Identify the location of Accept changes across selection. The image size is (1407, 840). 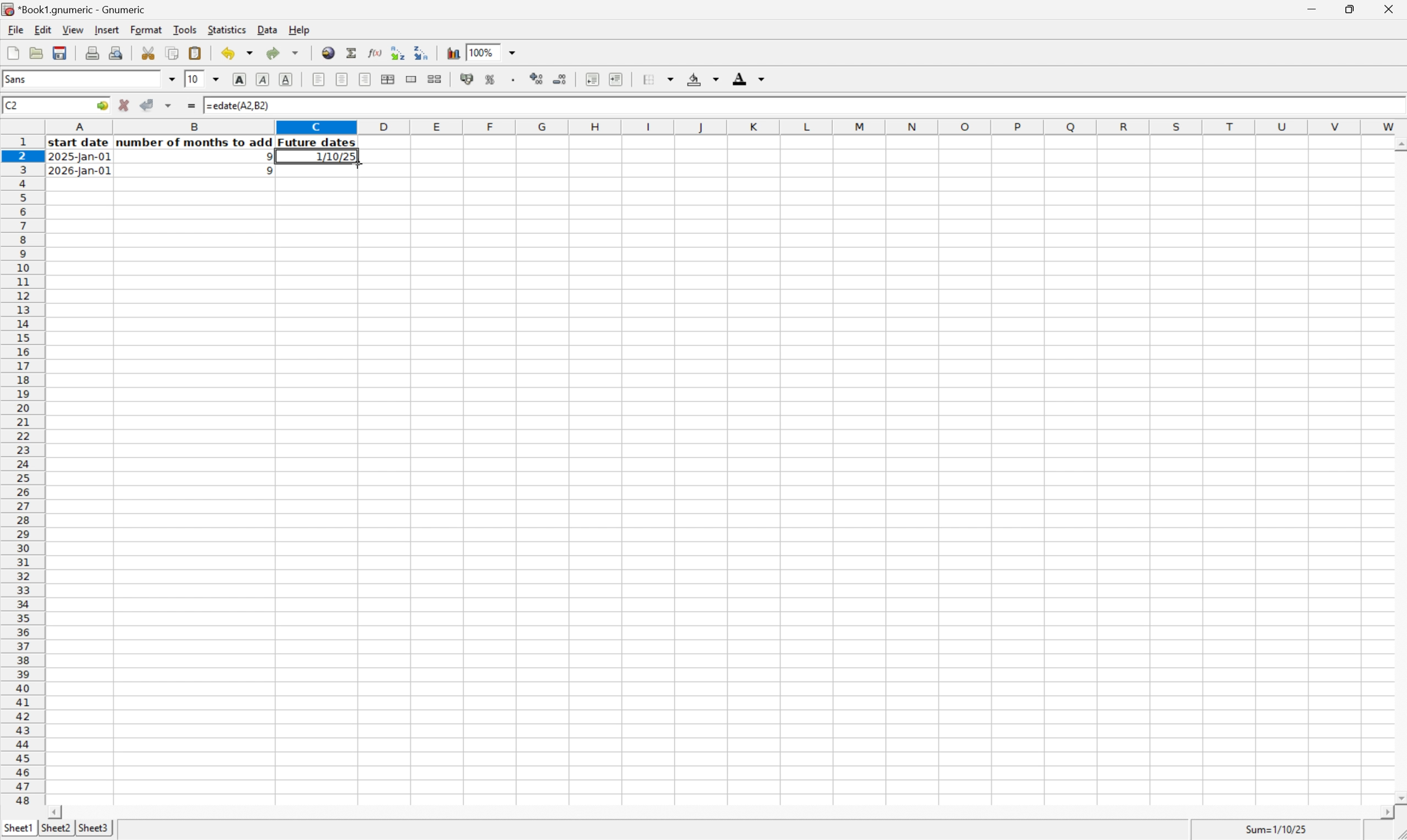
(172, 104).